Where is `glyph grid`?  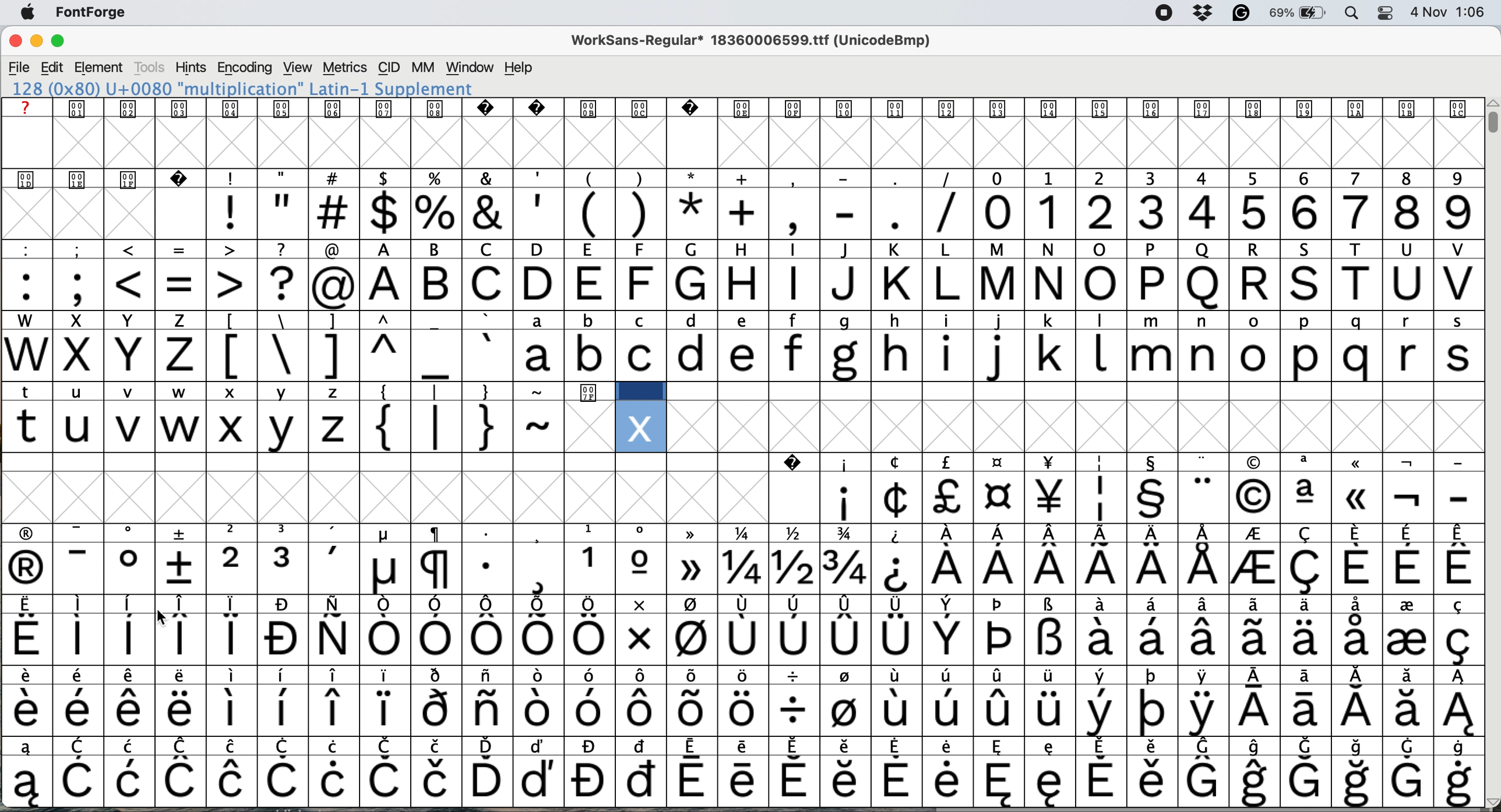 glyph grid is located at coordinates (749, 144).